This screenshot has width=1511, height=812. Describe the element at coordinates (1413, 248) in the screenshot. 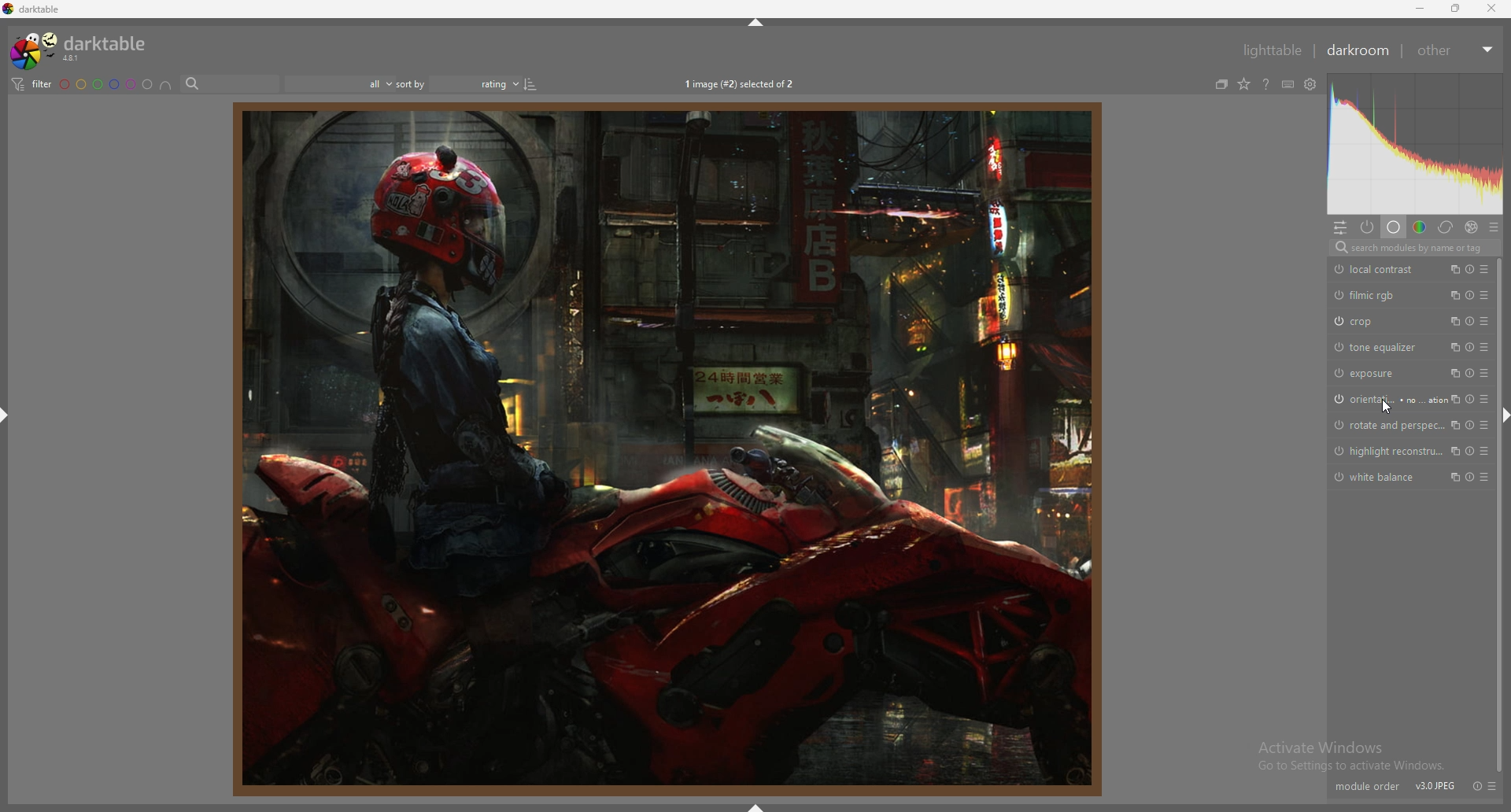

I see `search modules by name or tag` at that location.